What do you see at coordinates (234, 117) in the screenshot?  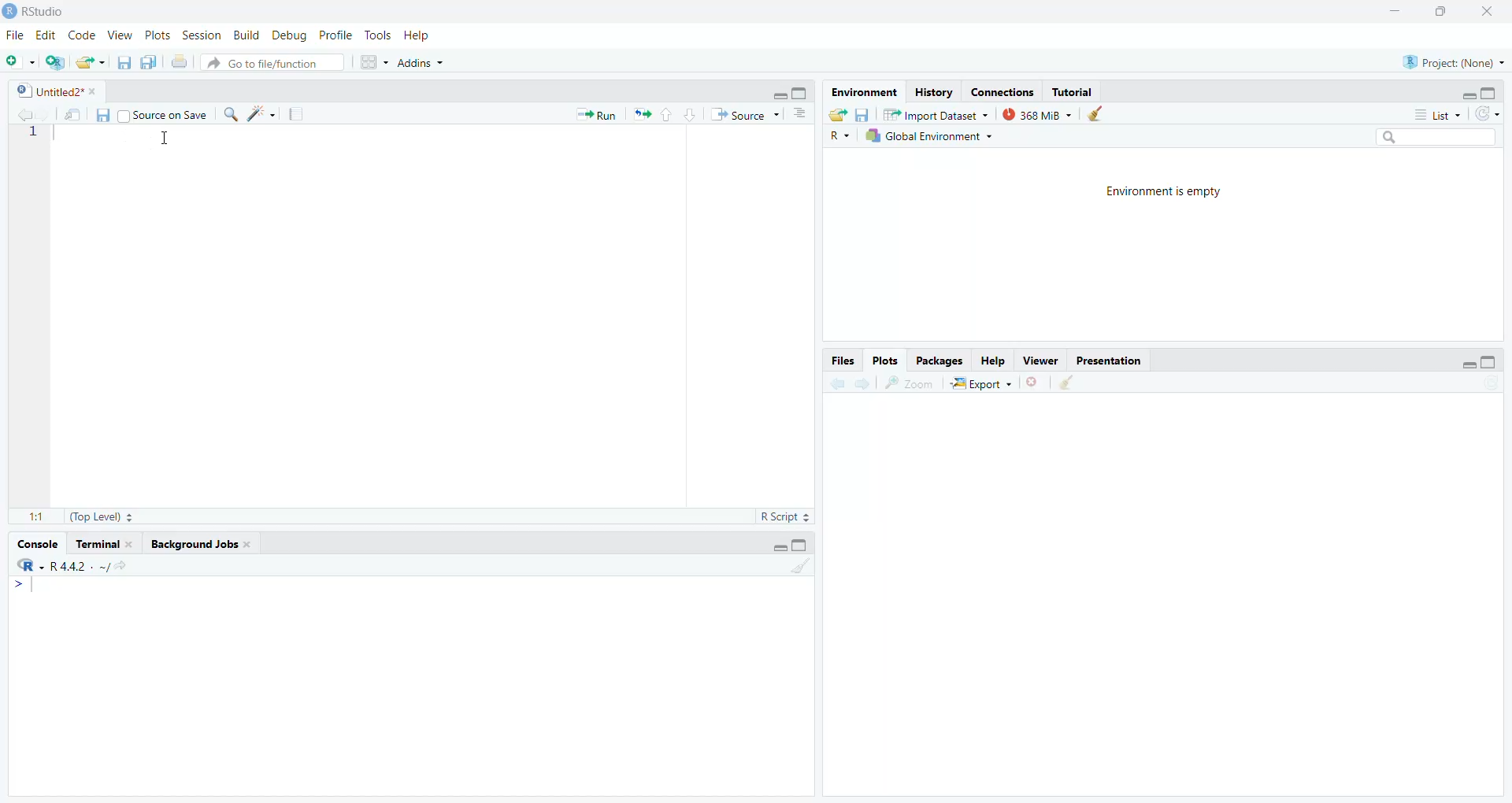 I see `search` at bounding box center [234, 117].